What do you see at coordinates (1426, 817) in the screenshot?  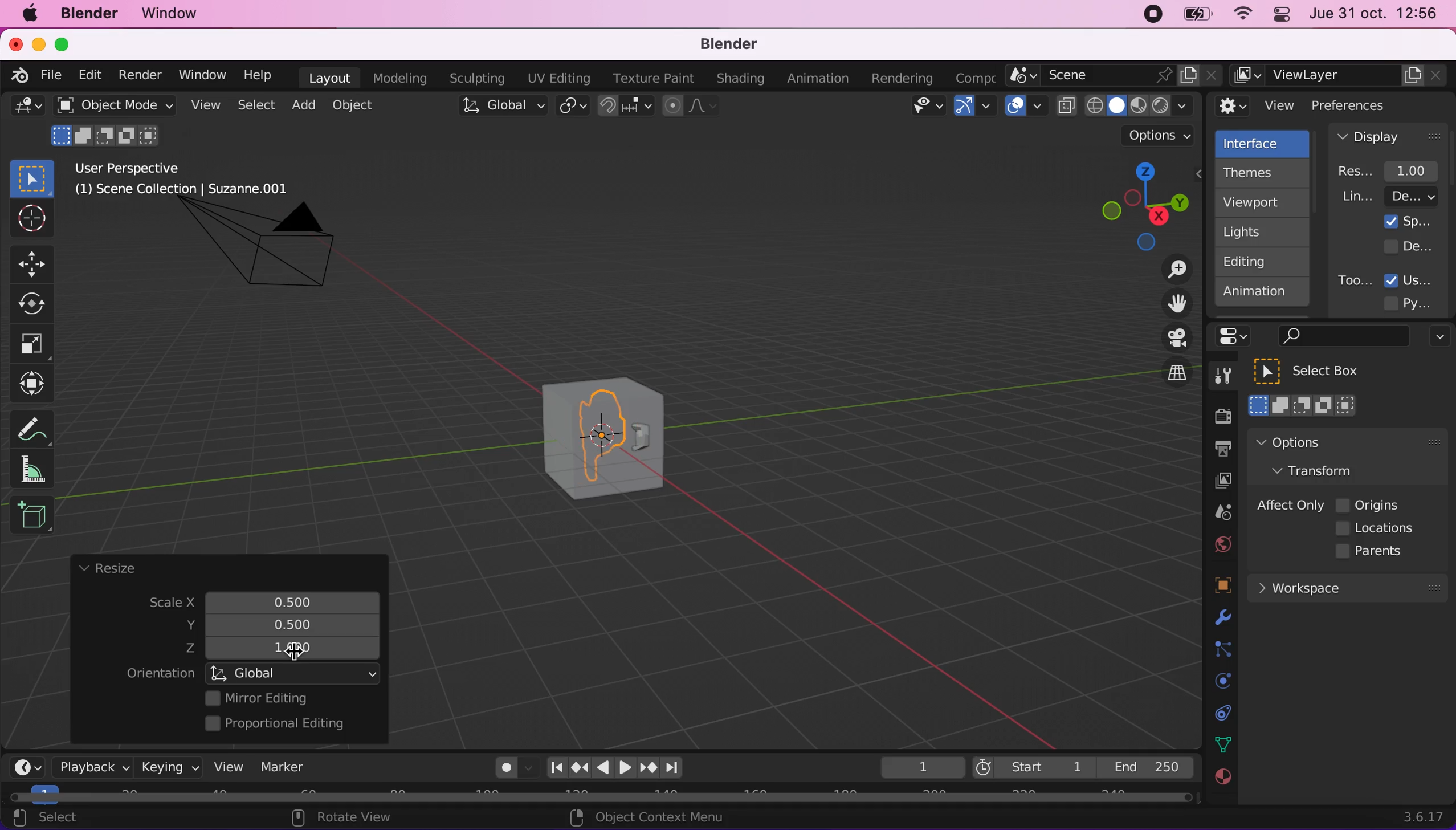 I see `3.6.17` at bounding box center [1426, 817].